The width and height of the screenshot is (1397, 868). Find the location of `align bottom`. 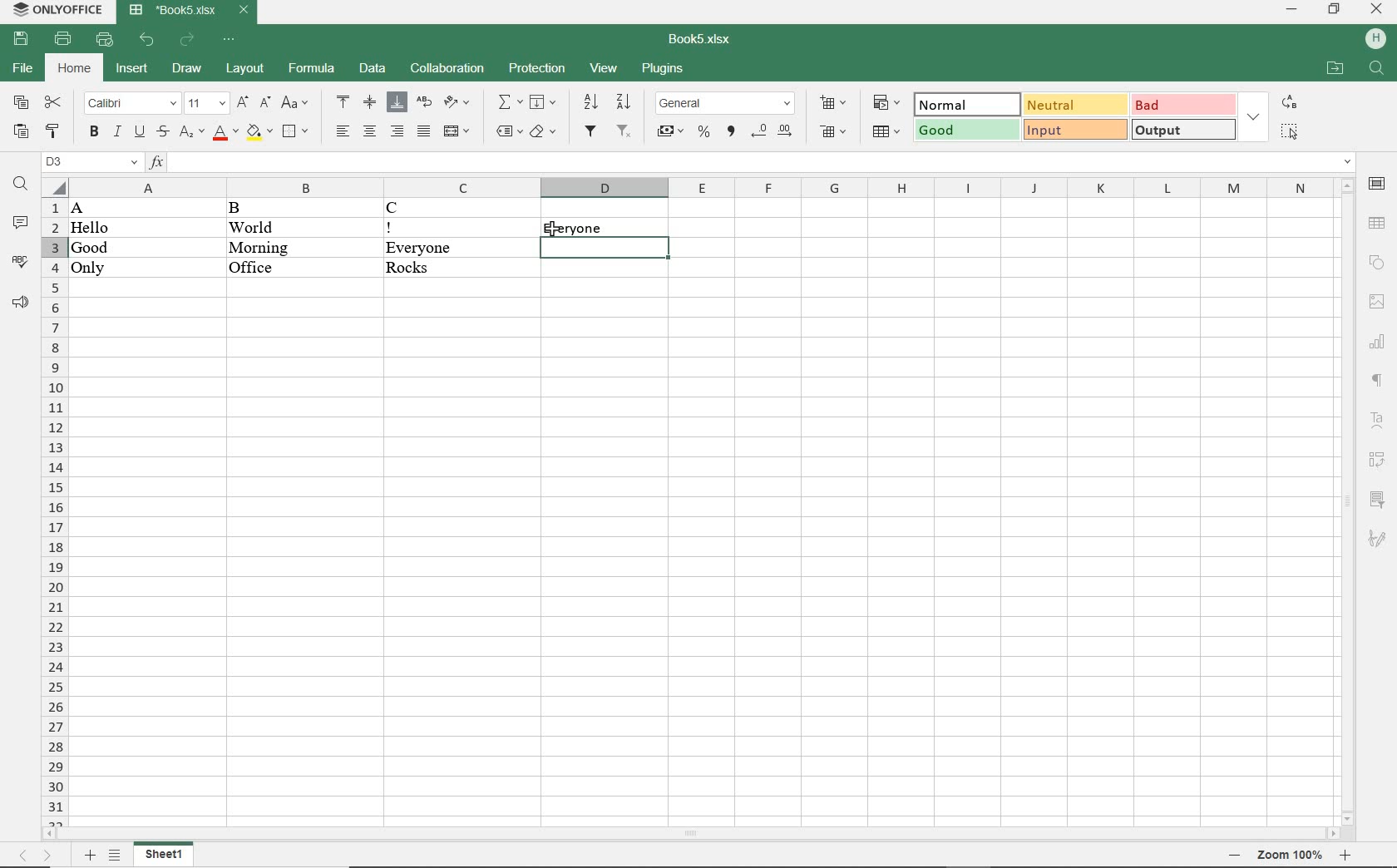

align bottom is located at coordinates (398, 102).